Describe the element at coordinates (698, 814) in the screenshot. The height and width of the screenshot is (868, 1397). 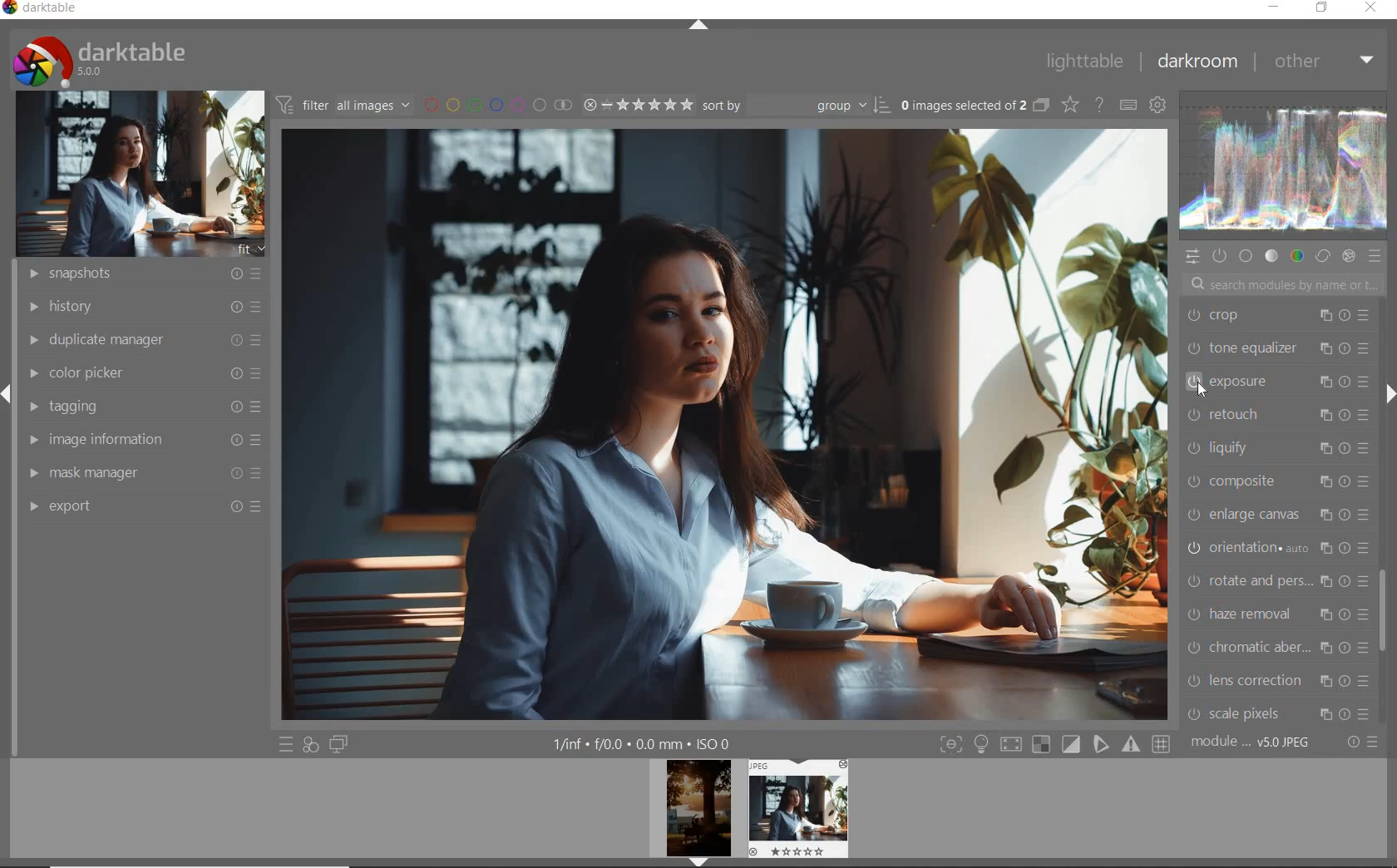
I see `IMAGE PREVIEW` at that location.